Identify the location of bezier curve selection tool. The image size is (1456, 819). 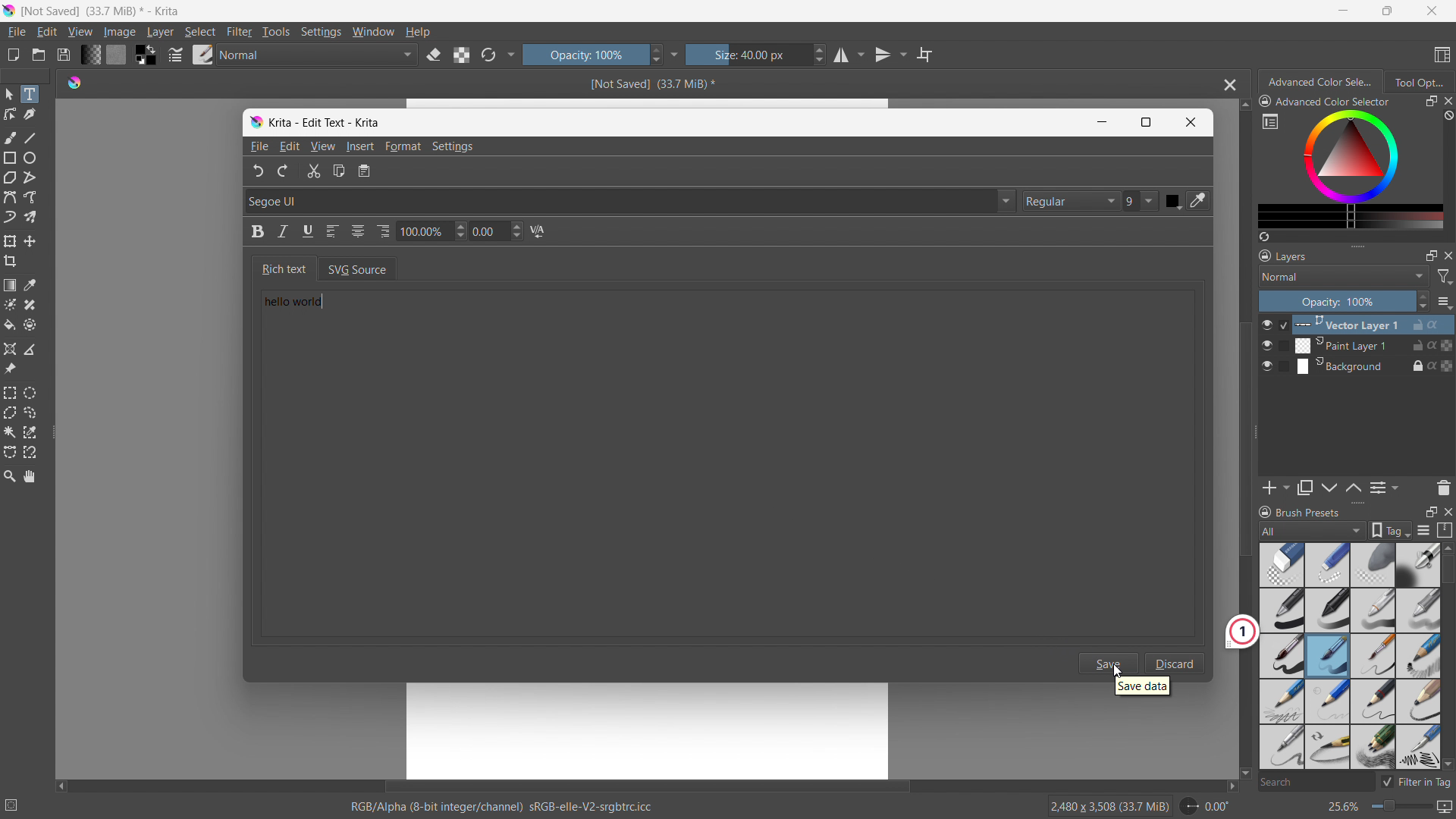
(10, 453).